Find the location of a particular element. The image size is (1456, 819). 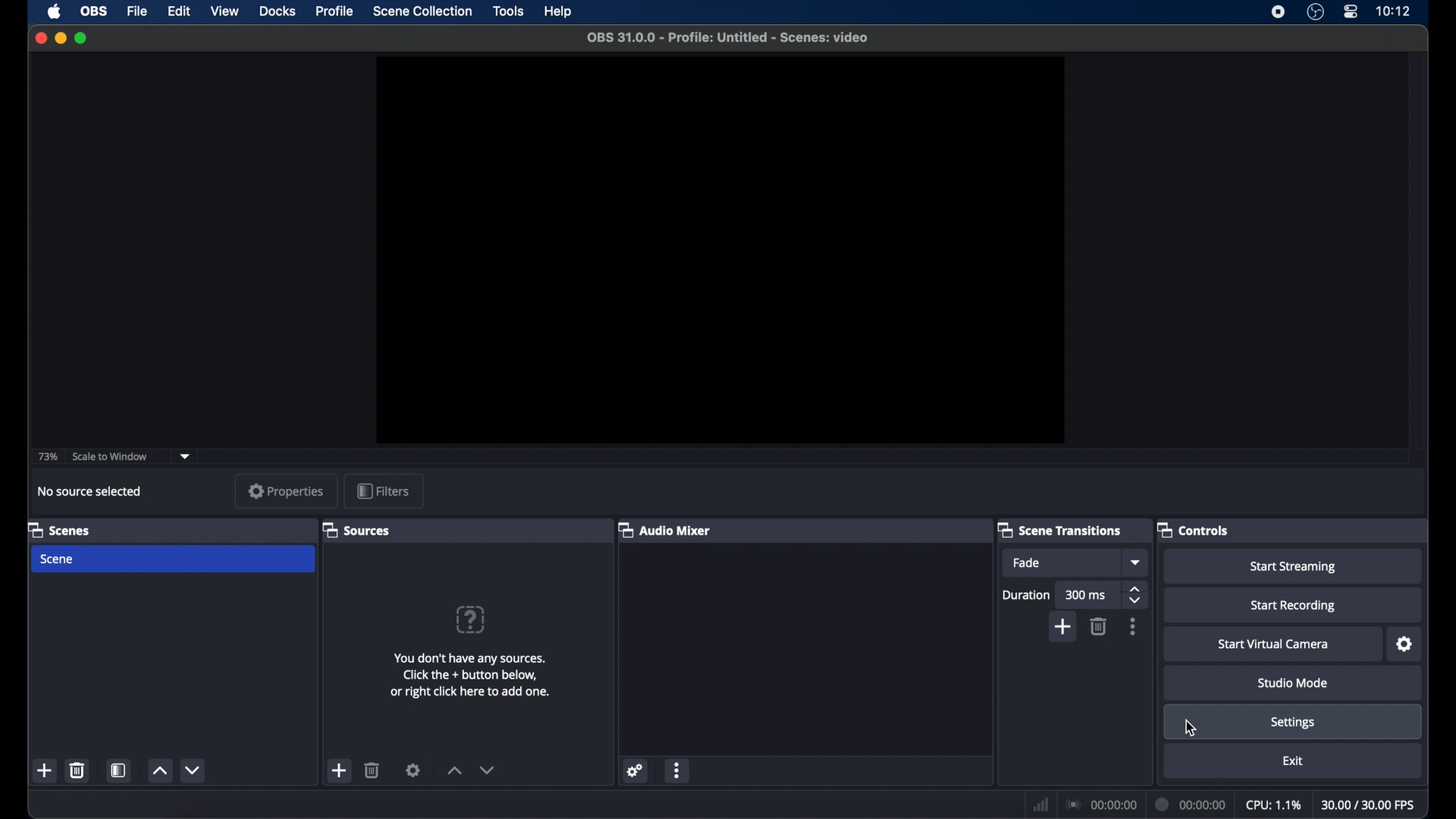

start virtual camera is located at coordinates (1272, 645).